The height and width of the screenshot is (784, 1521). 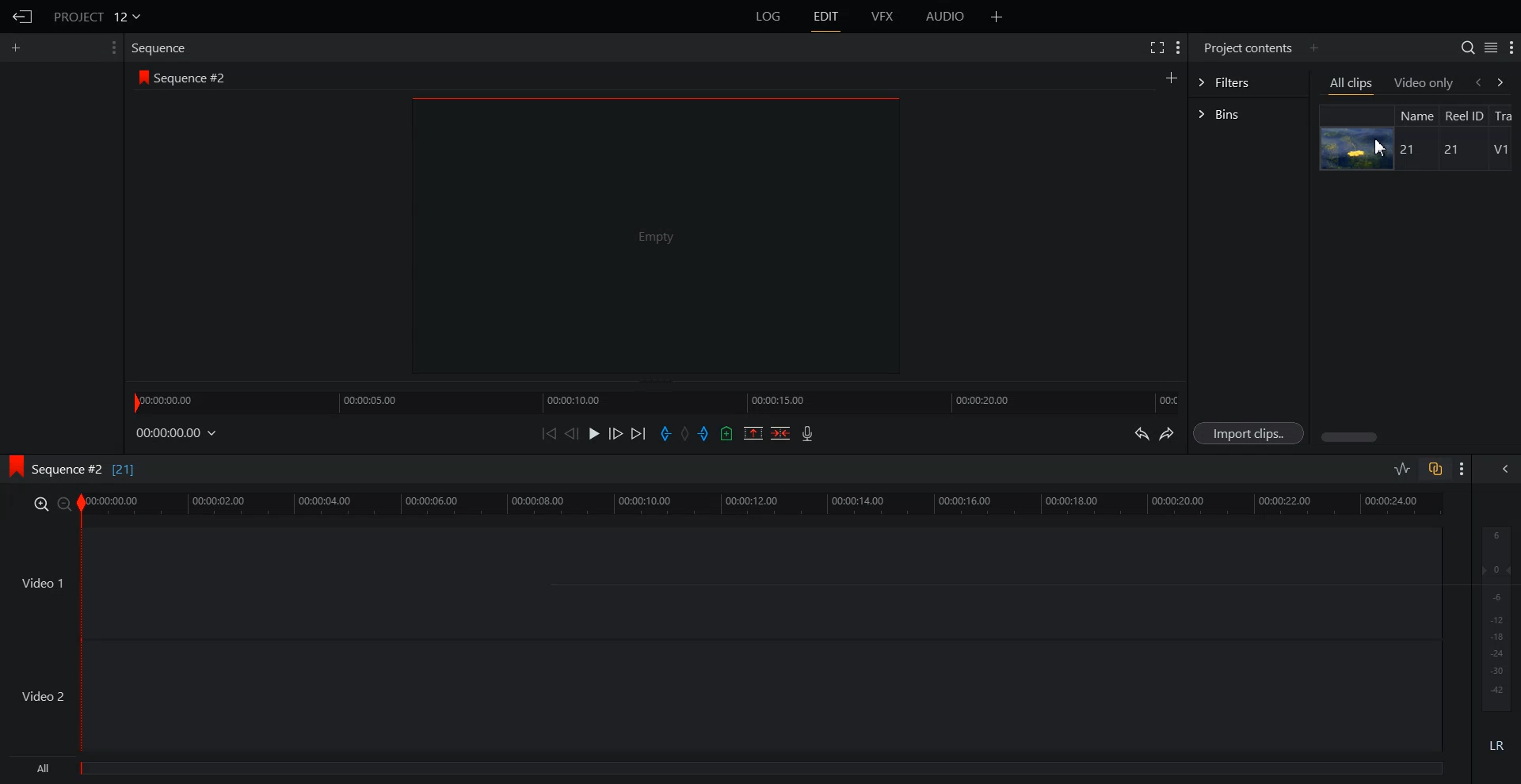 What do you see at coordinates (141, 76) in the screenshot?
I see `logo` at bounding box center [141, 76].